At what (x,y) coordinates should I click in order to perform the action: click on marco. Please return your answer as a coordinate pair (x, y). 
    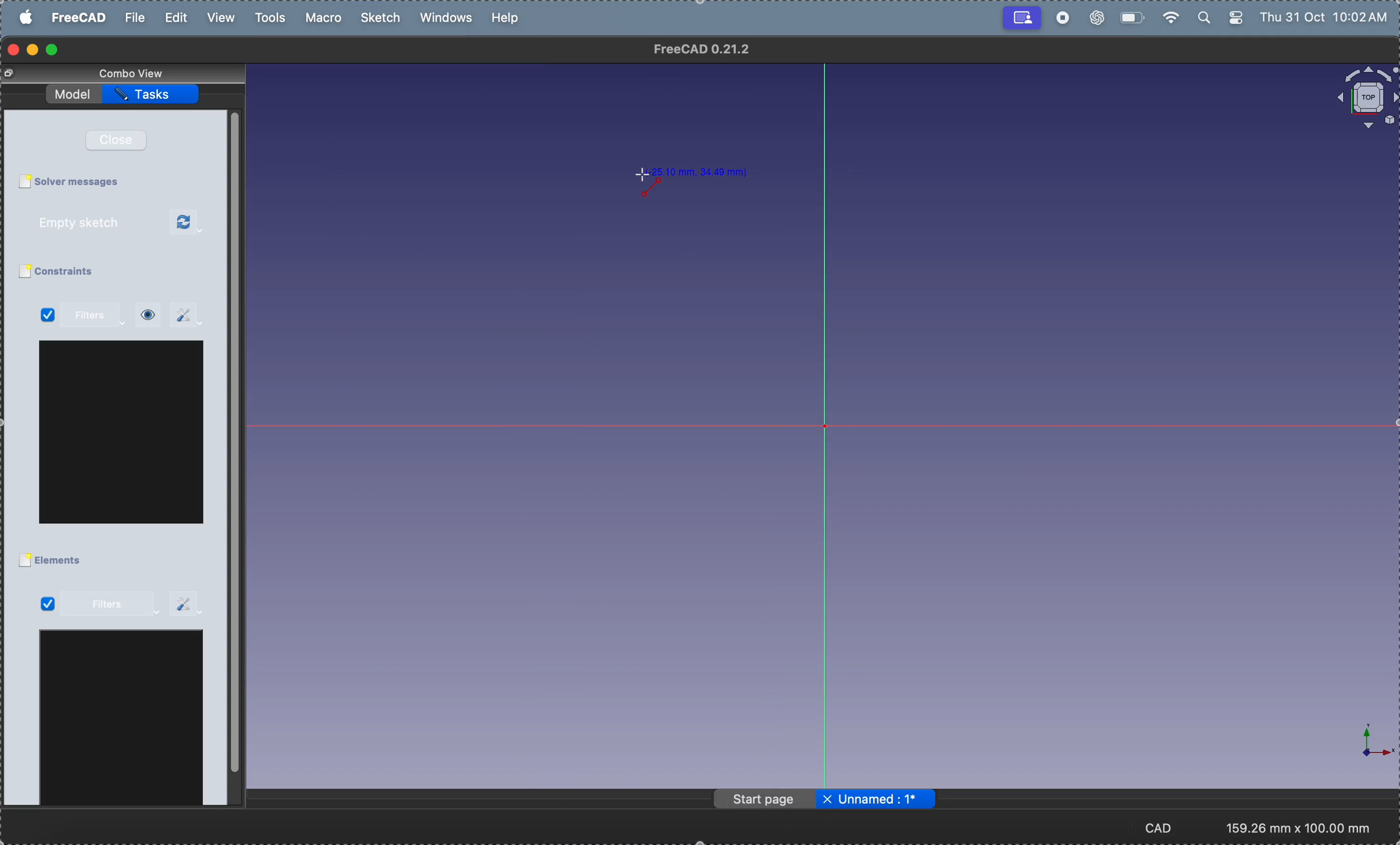
    Looking at the image, I should click on (327, 18).